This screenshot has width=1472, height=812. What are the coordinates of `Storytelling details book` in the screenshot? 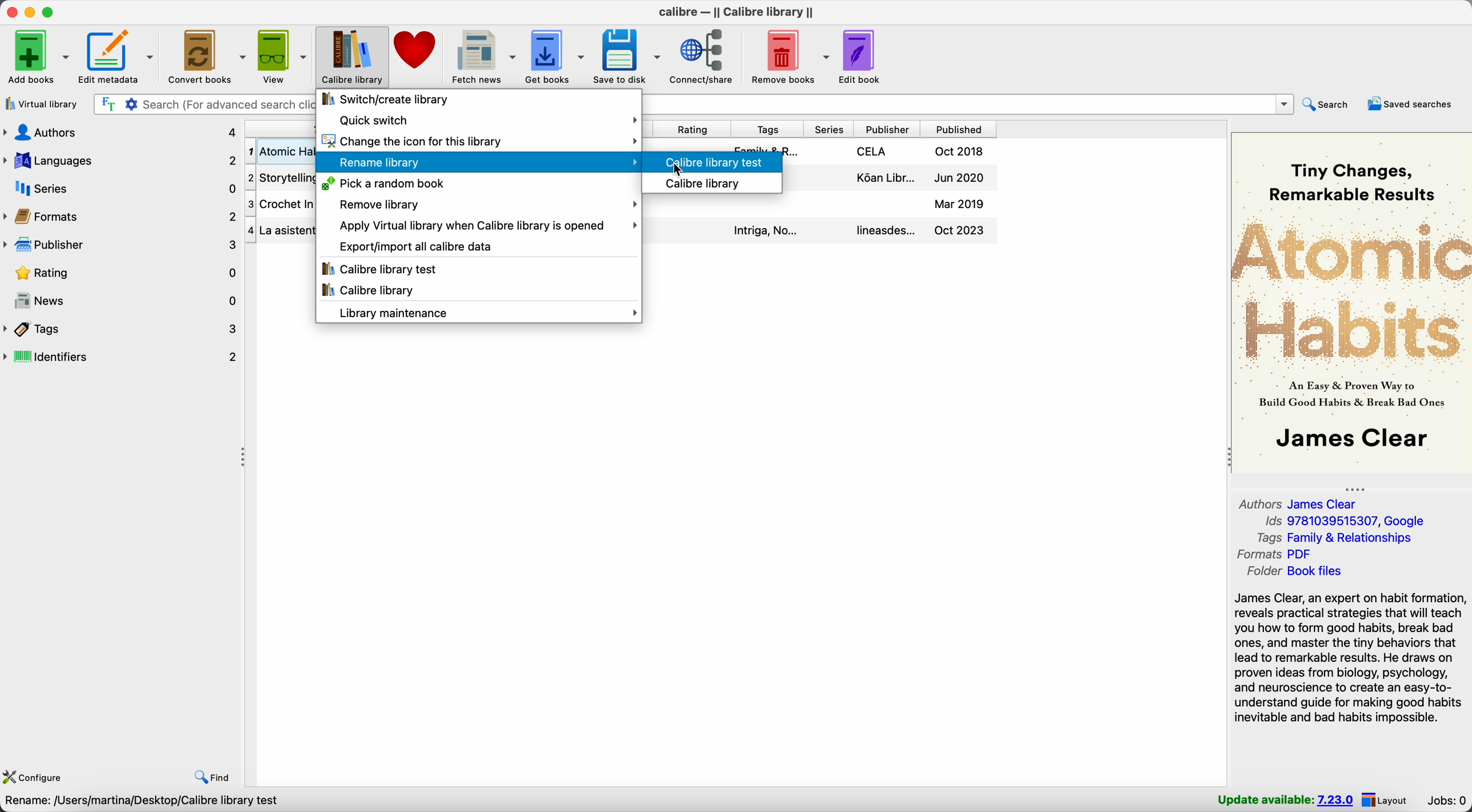 It's located at (890, 180).